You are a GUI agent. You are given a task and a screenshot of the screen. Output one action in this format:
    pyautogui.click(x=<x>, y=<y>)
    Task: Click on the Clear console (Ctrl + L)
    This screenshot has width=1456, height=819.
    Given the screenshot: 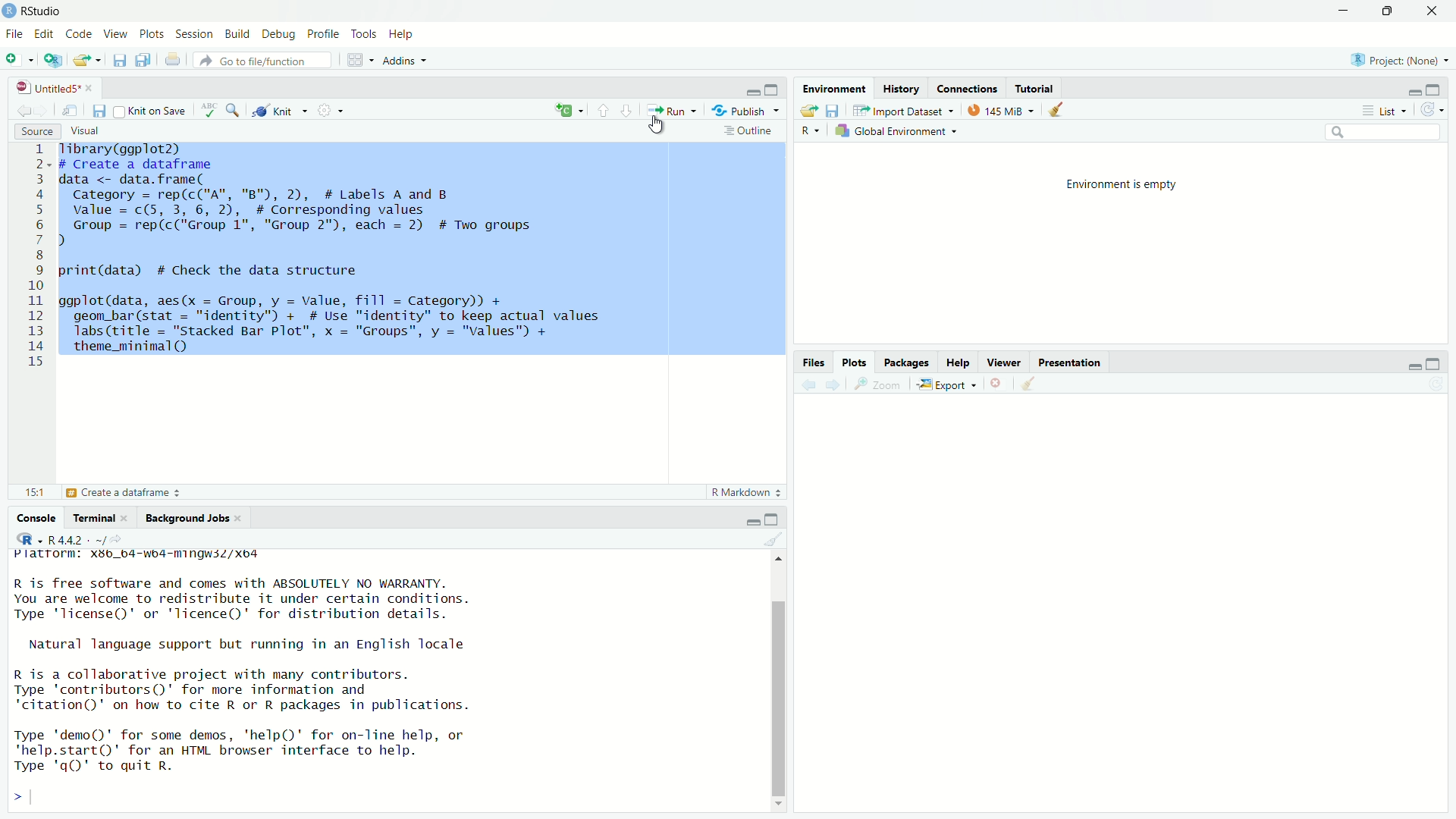 What is the action you would take?
    pyautogui.click(x=1029, y=385)
    